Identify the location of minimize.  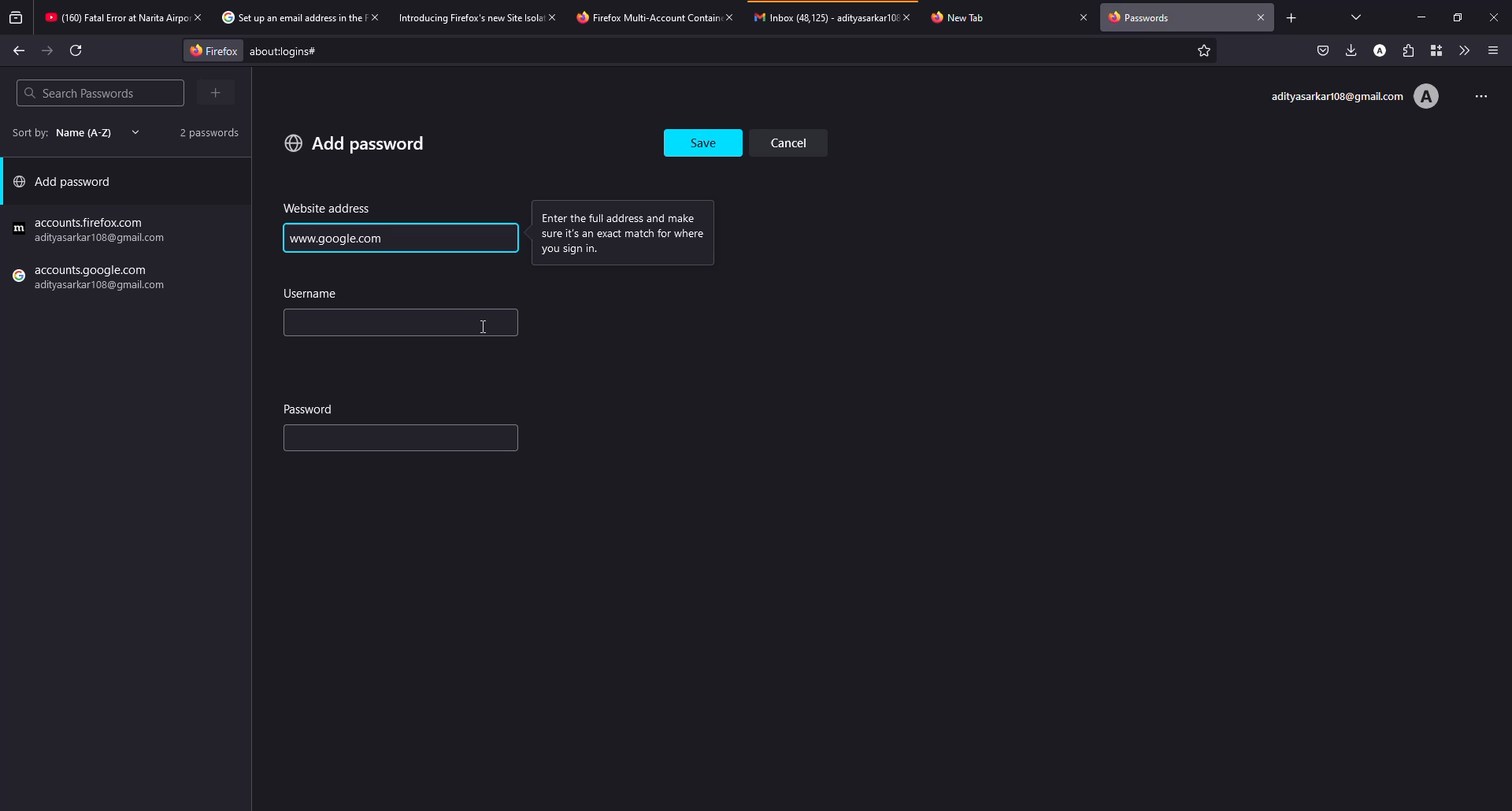
(1424, 17).